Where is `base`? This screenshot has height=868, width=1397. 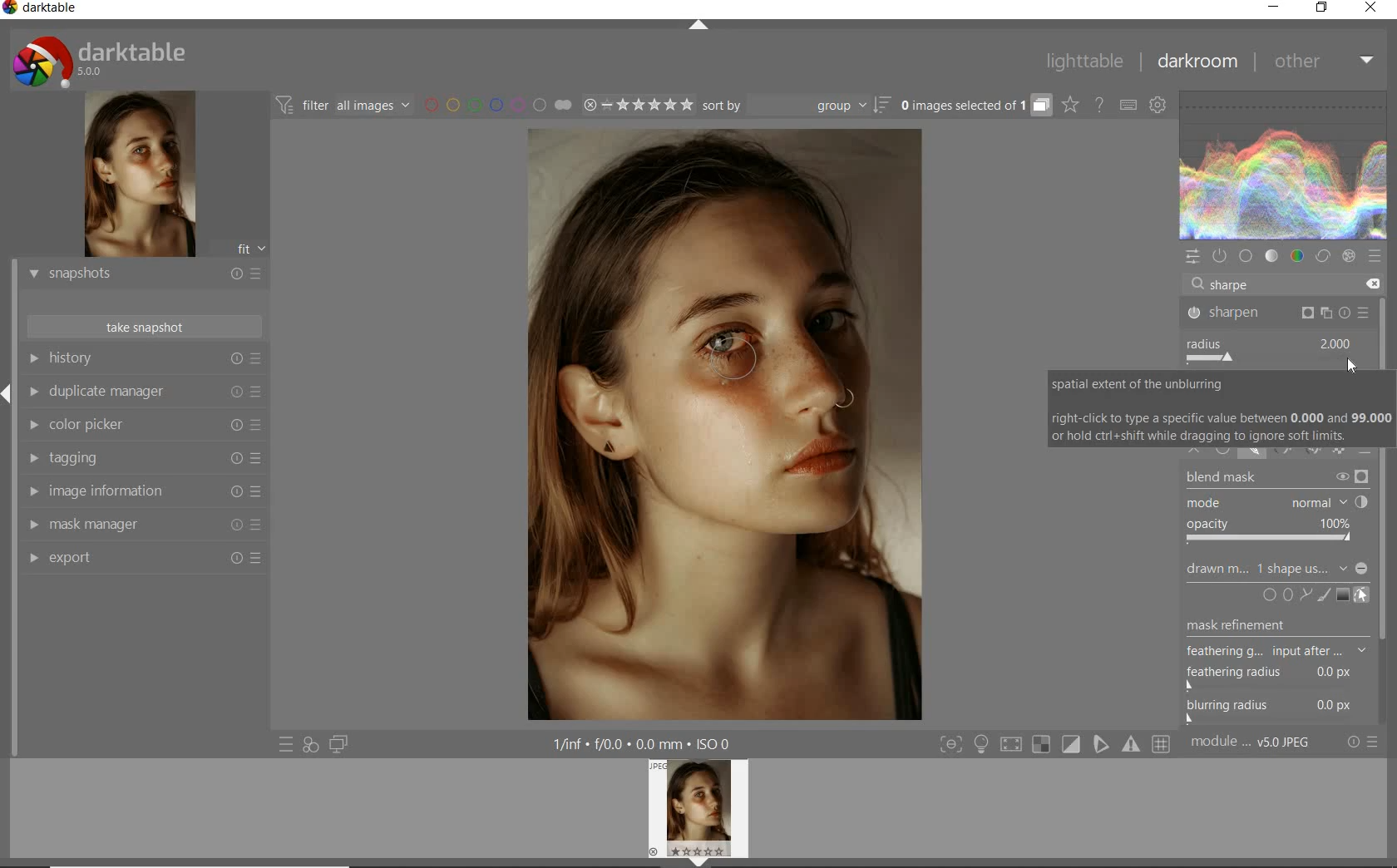 base is located at coordinates (1247, 257).